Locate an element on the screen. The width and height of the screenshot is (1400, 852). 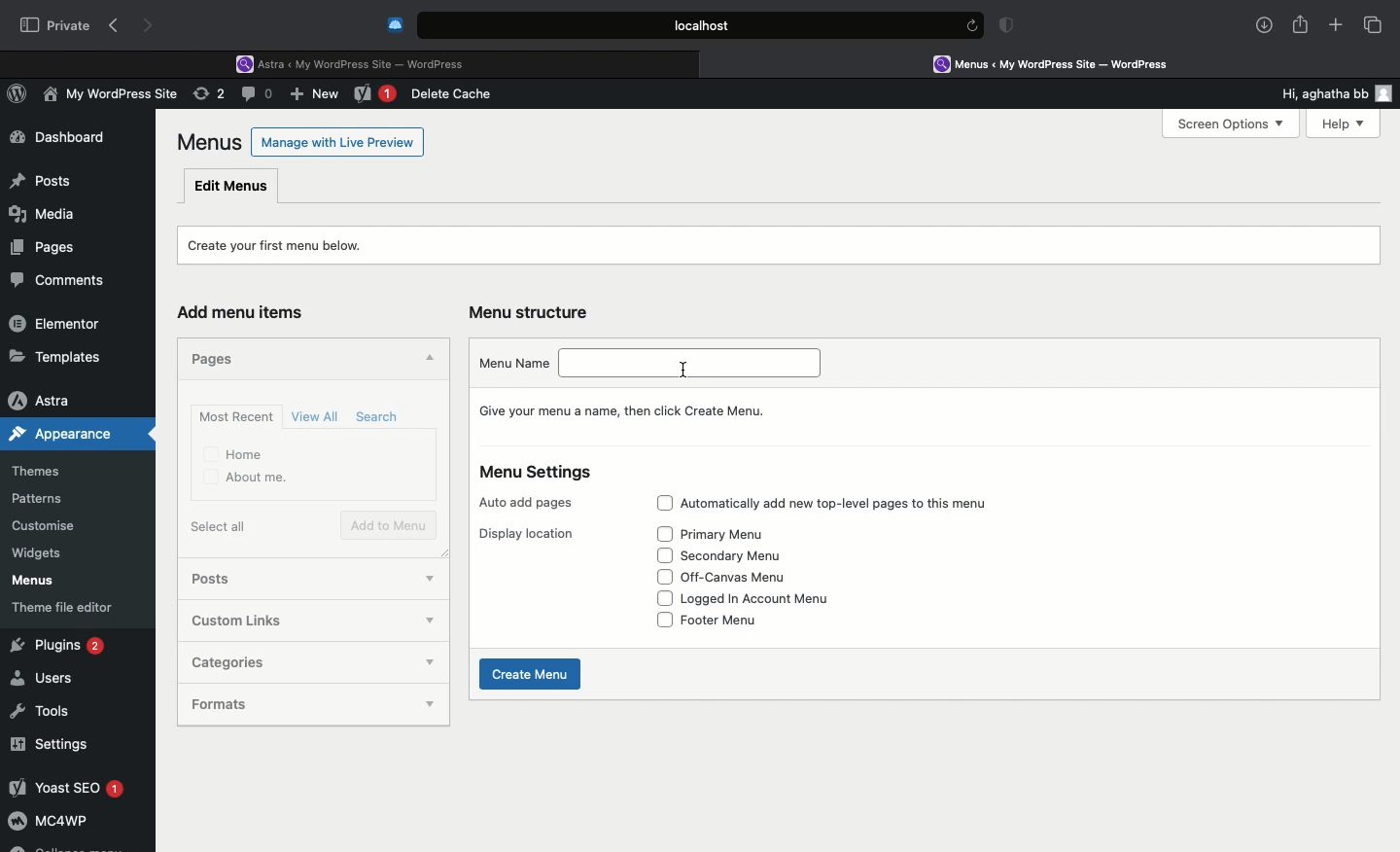
Back is located at coordinates (118, 26).